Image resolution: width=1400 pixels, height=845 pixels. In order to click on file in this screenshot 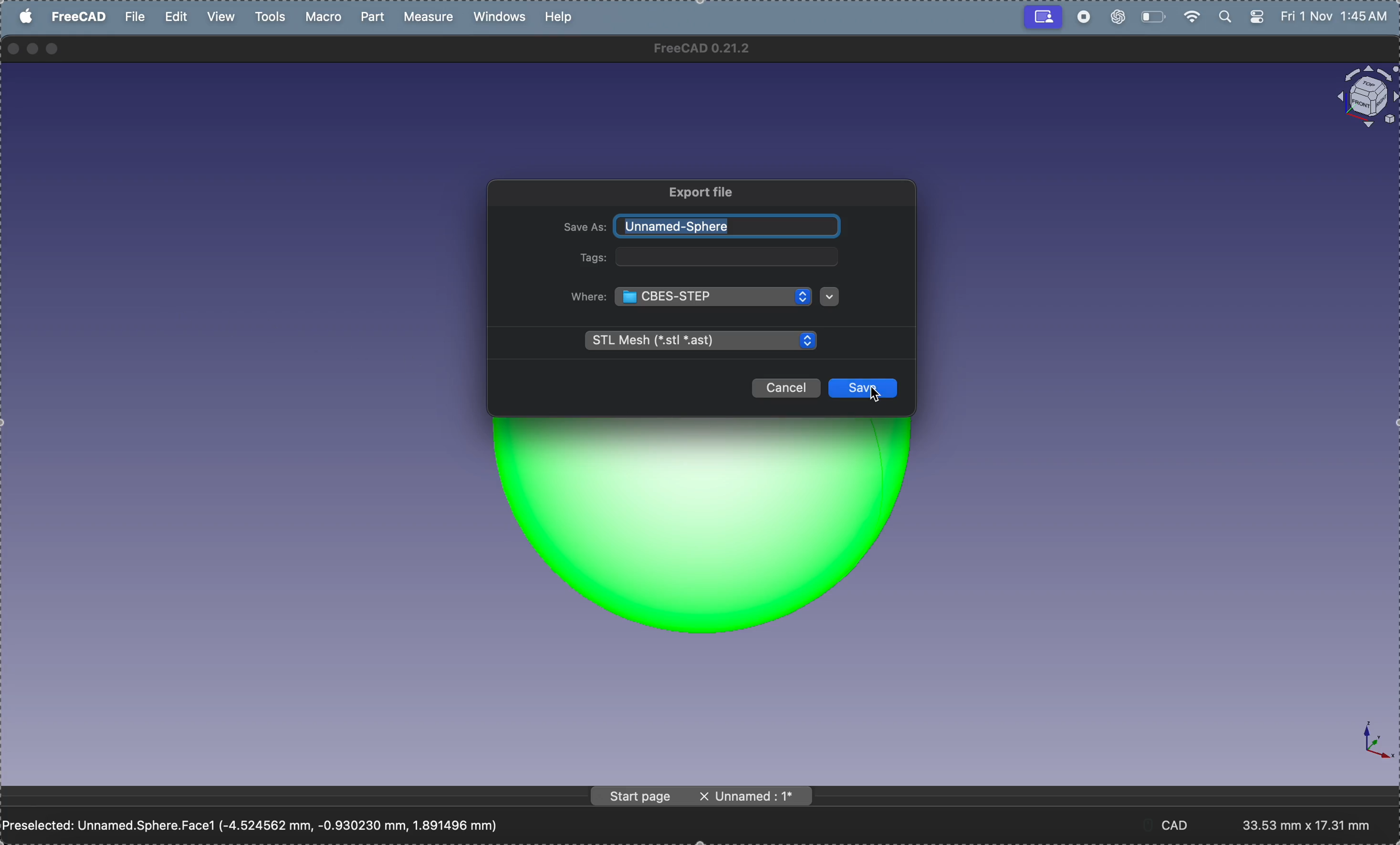, I will do `click(137, 20)`.